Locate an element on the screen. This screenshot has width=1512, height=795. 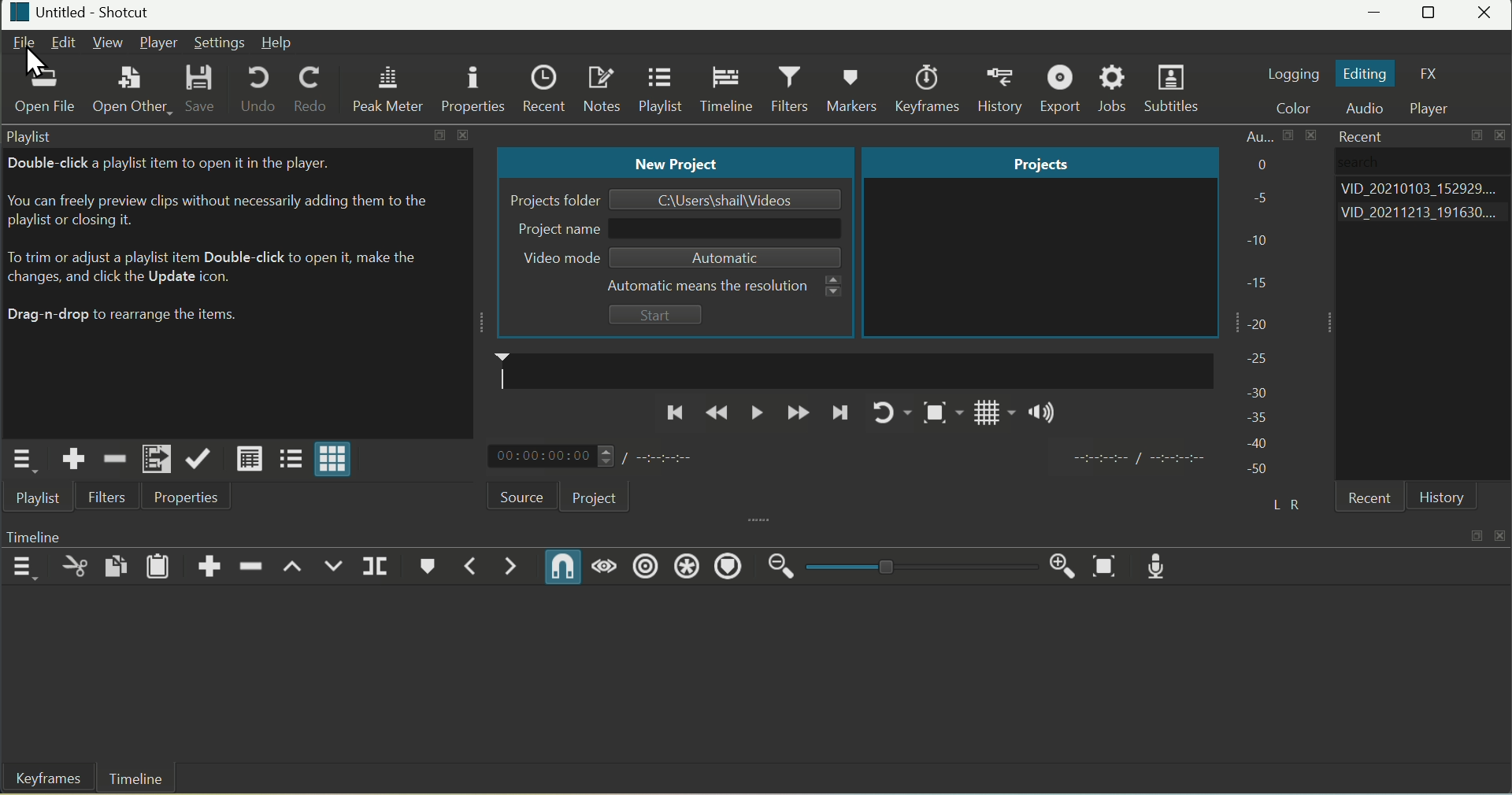
Mic is located at coordinates (1163, 565).